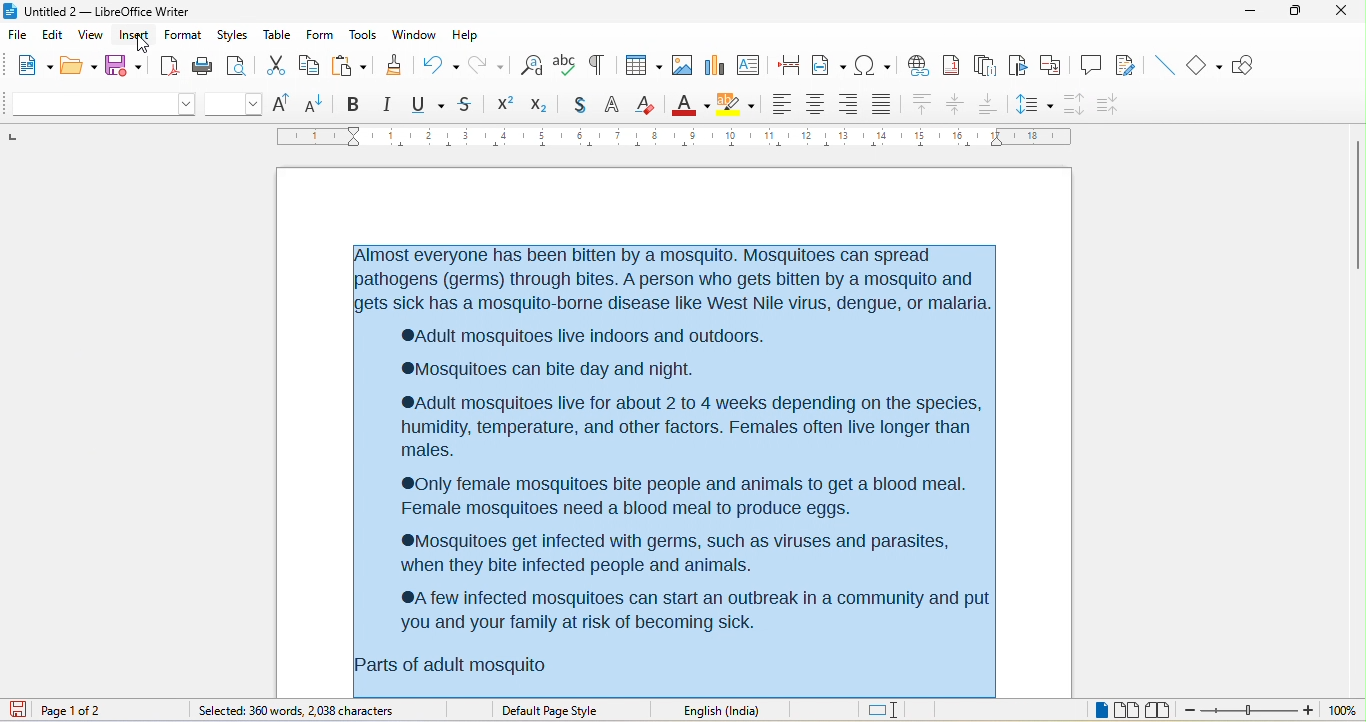  I want to click on text box, so click(749, 63).